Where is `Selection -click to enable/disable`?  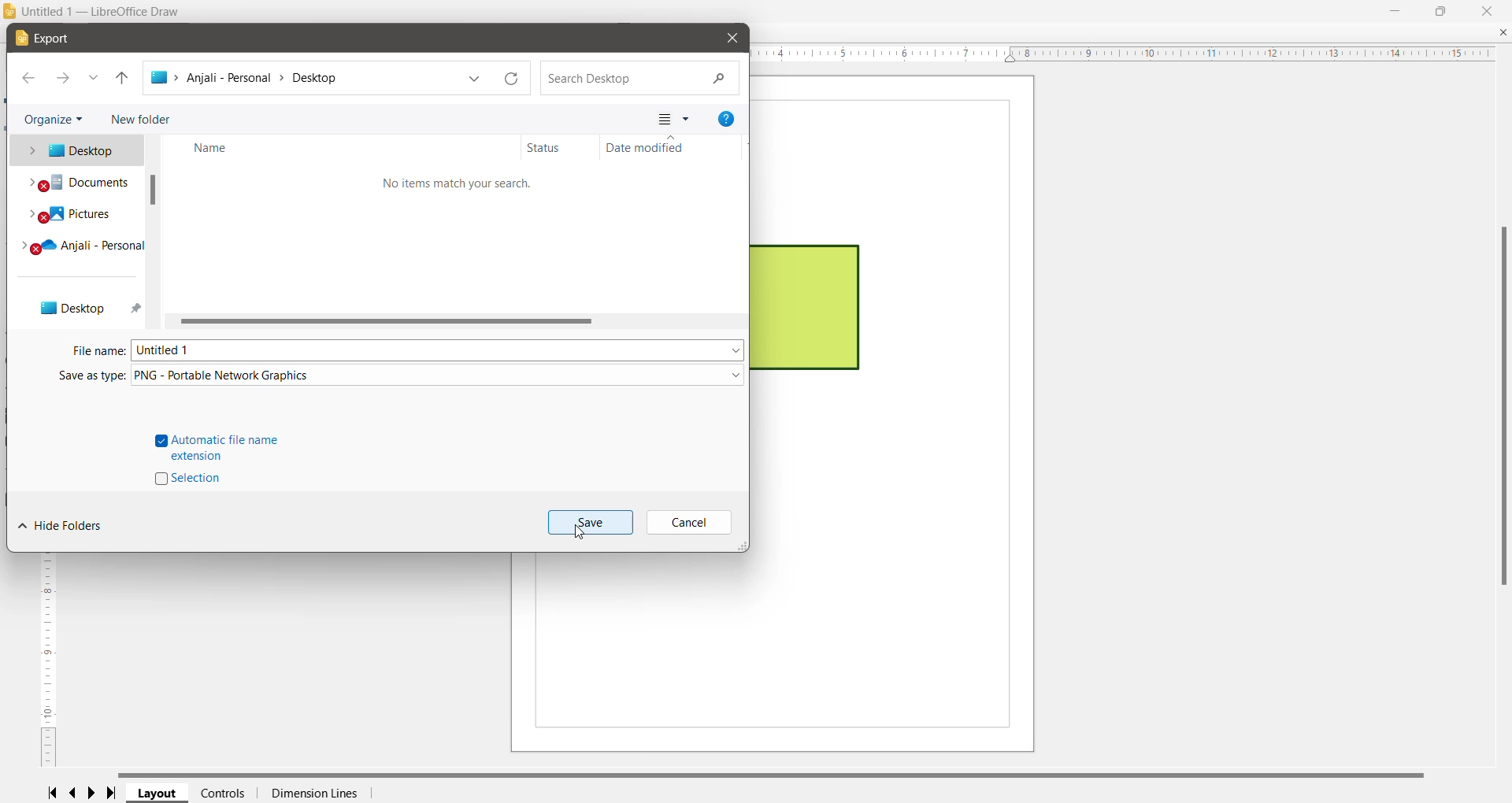
Selection -click to enable/disable is located at coordinates (192, 479).